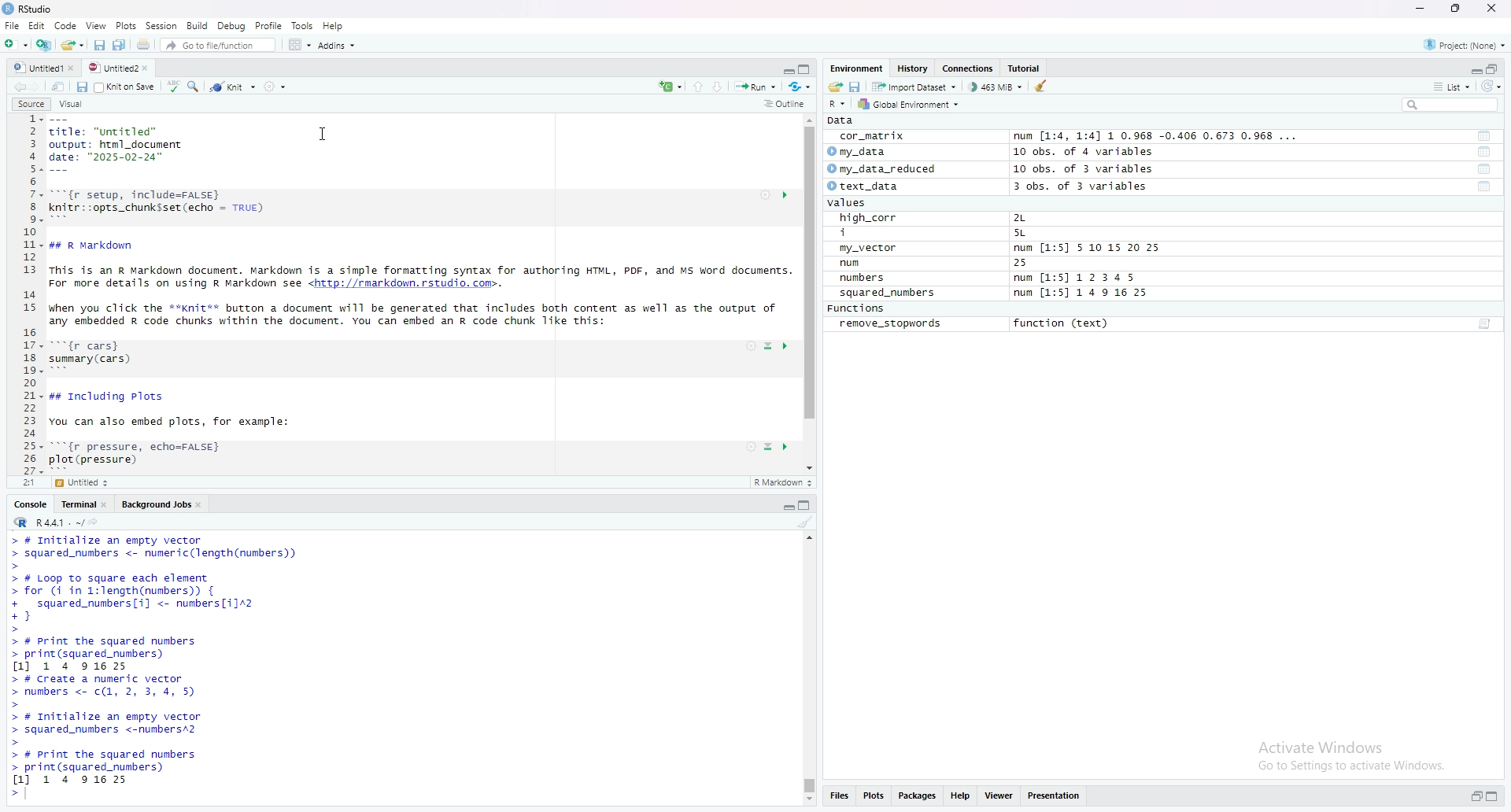 This screenshot has height=812, width=1511. What do you see at coordinates (1496, 86) in the screenshot?
I see `Refresh the list of object in the environment` at bounding box center [1496, 86].